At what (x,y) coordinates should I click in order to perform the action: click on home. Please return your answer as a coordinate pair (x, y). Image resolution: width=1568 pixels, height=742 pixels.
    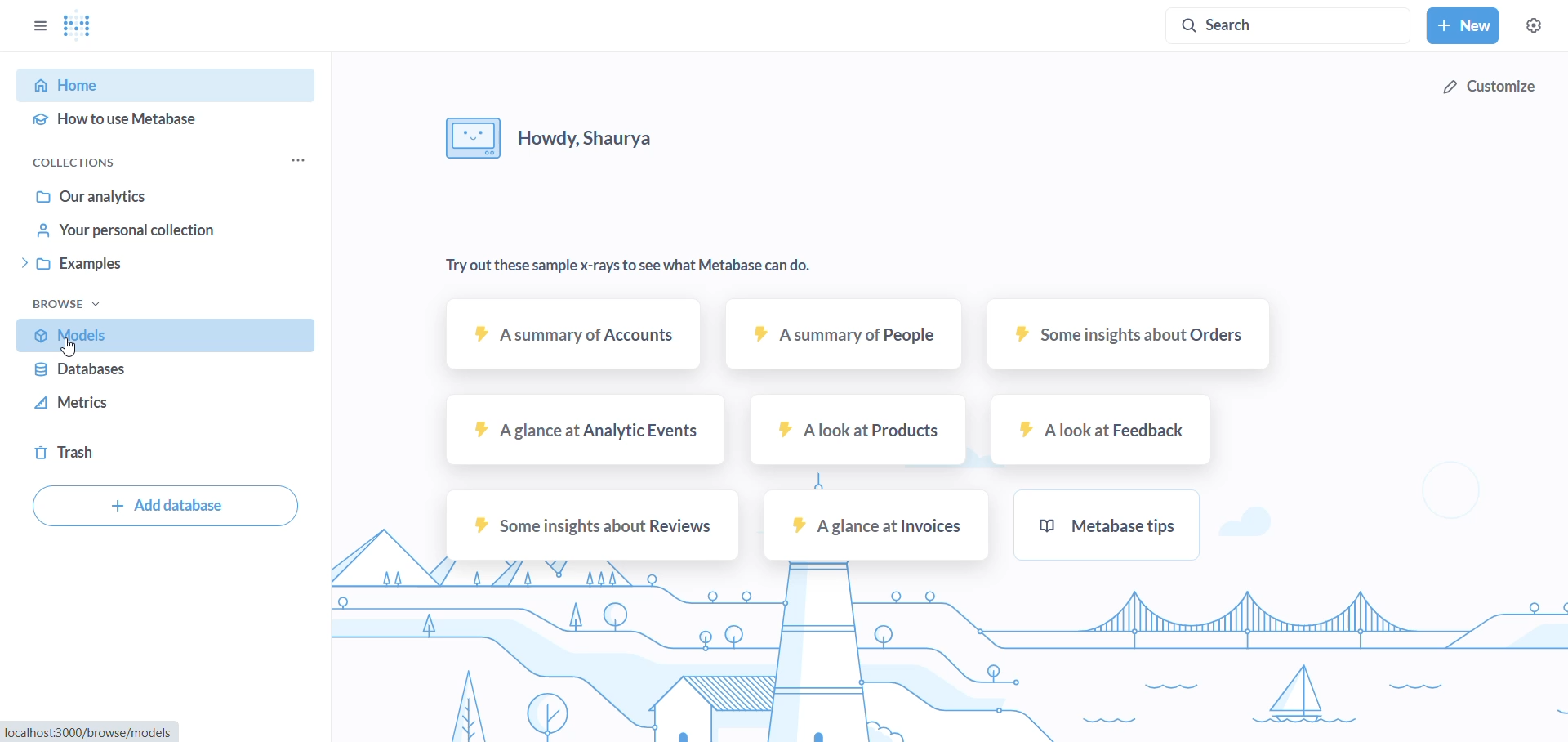
    Looking at the image, I should click on (160, 87).